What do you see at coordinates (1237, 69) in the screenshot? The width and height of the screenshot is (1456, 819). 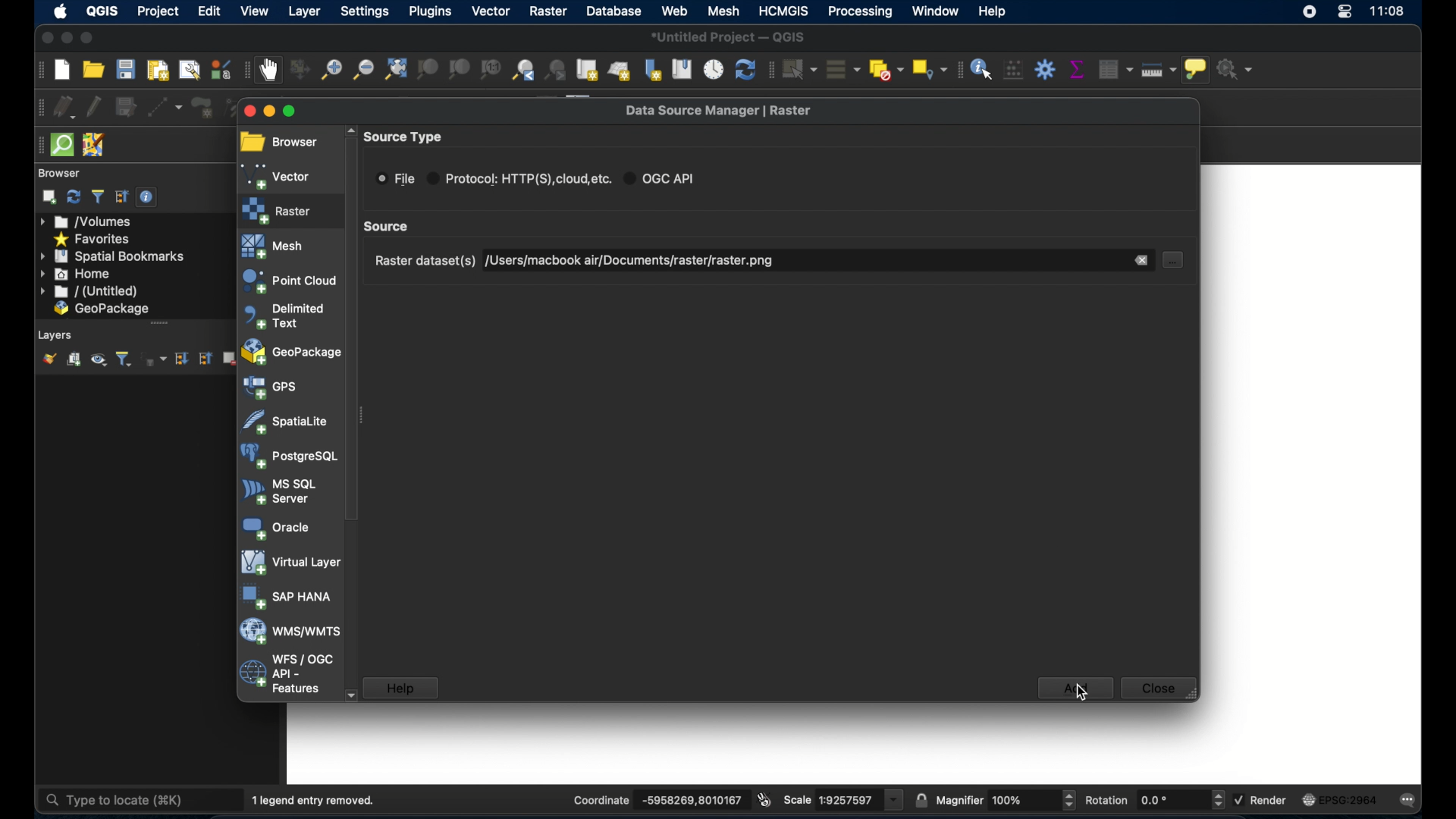 I see `no action selected` at bounding box center [1237, 69].